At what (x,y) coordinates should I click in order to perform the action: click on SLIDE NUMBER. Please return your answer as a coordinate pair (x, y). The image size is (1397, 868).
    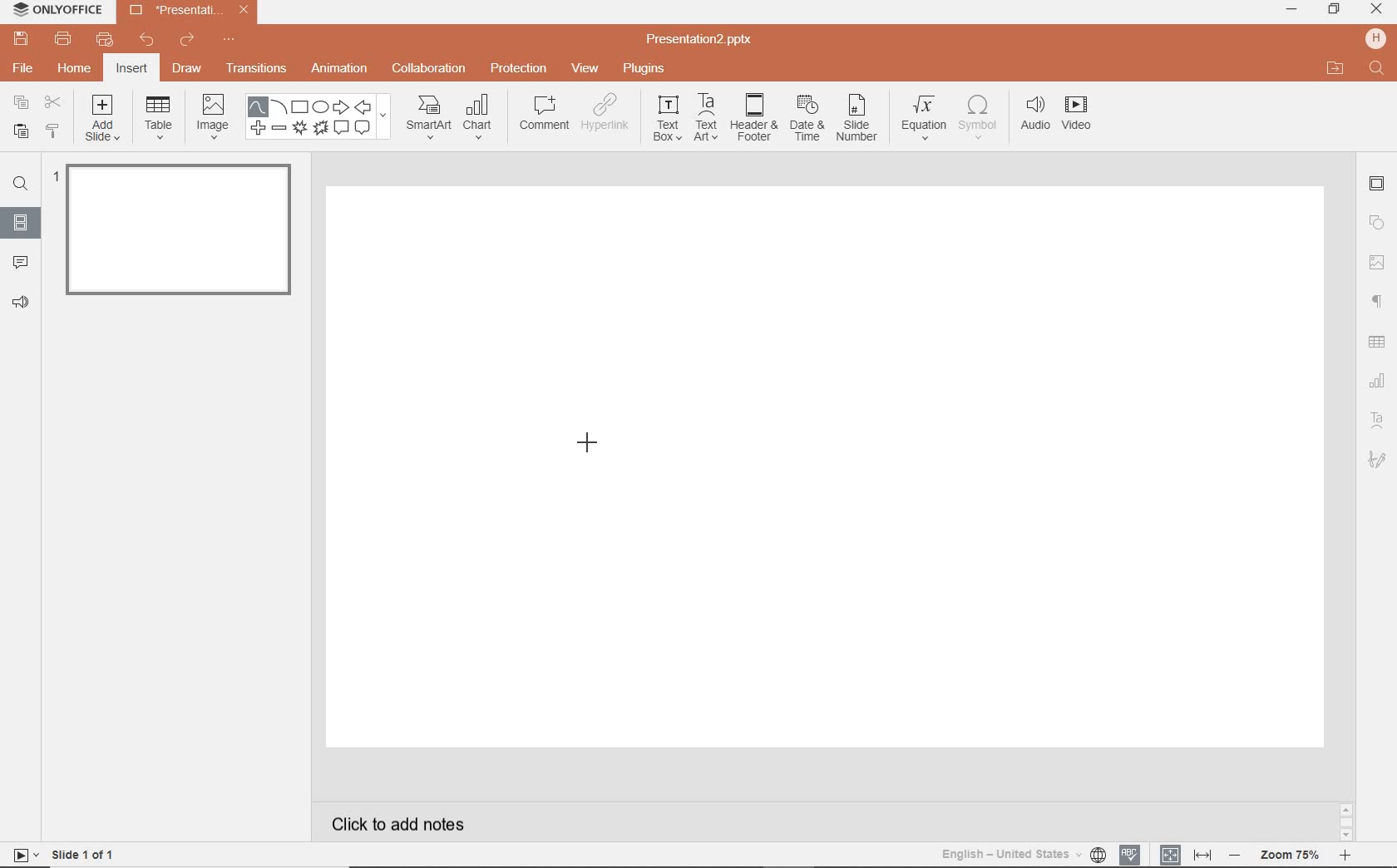
    Looking at the image, I should click on (857, 122).